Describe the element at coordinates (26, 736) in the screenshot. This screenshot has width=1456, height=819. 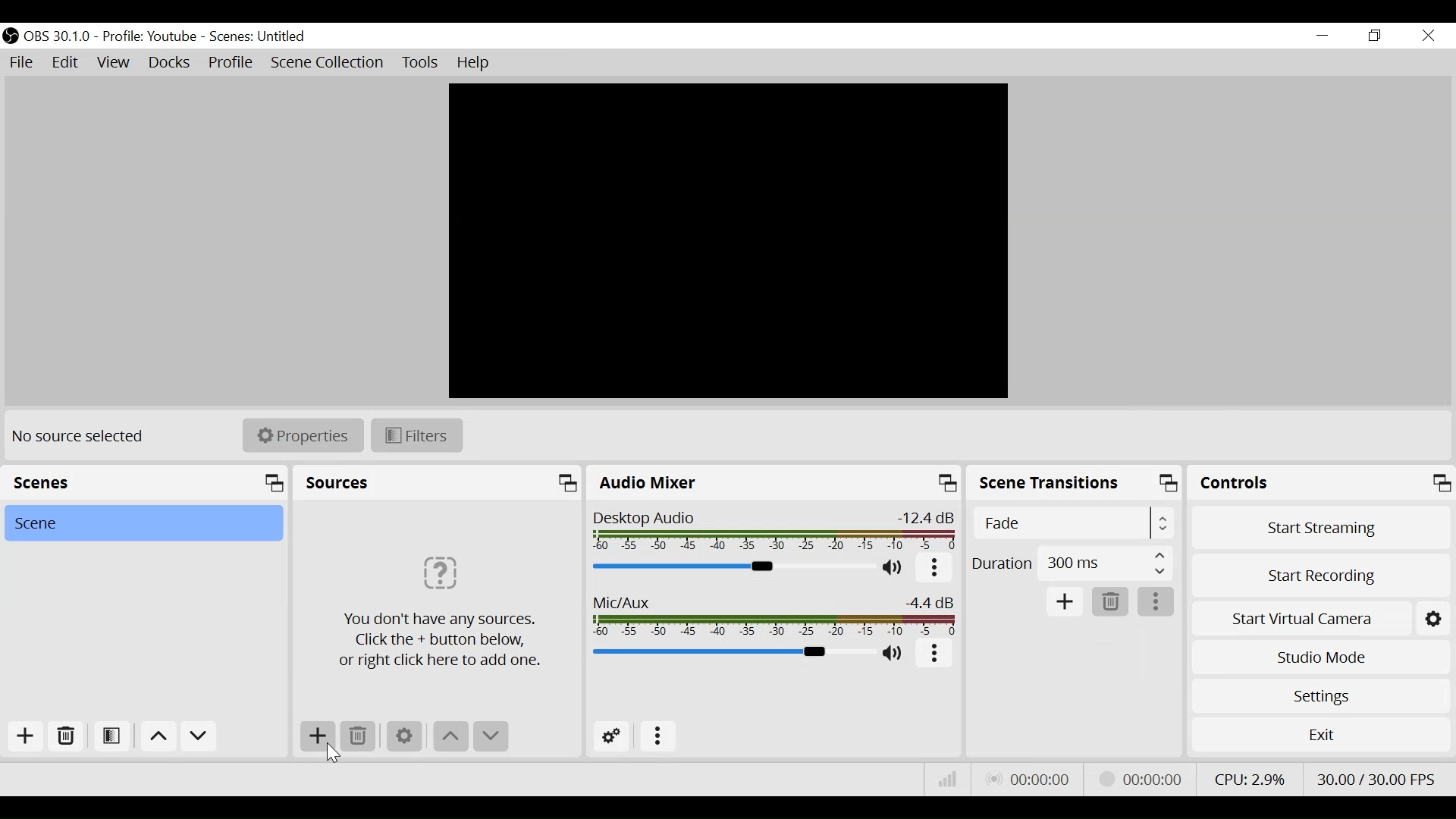
I see `Add` at that location.